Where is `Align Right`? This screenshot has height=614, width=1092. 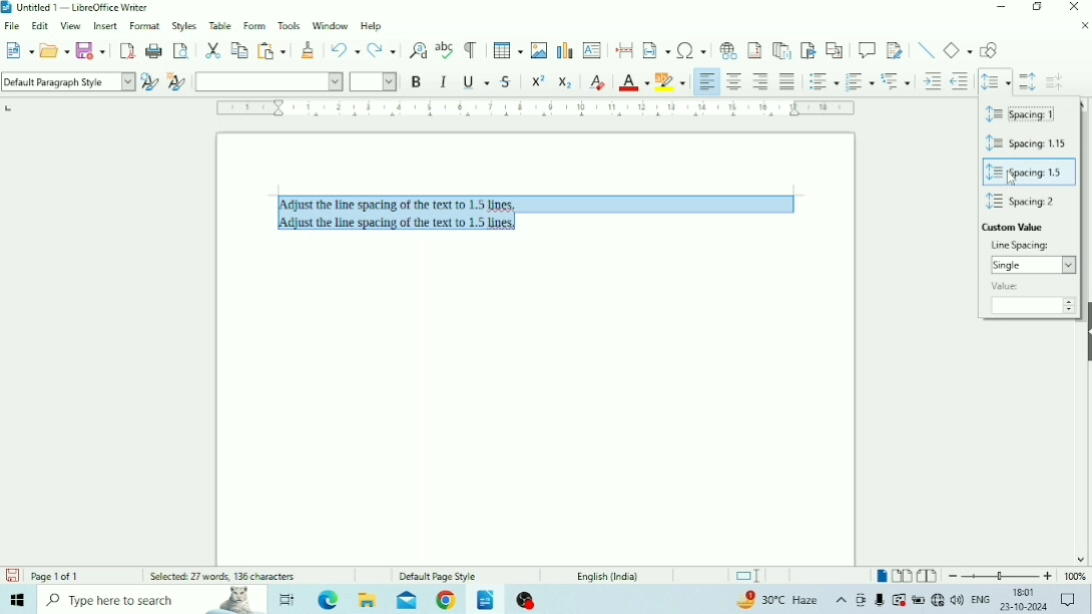
Align Right is located at coordinates (759, 82).